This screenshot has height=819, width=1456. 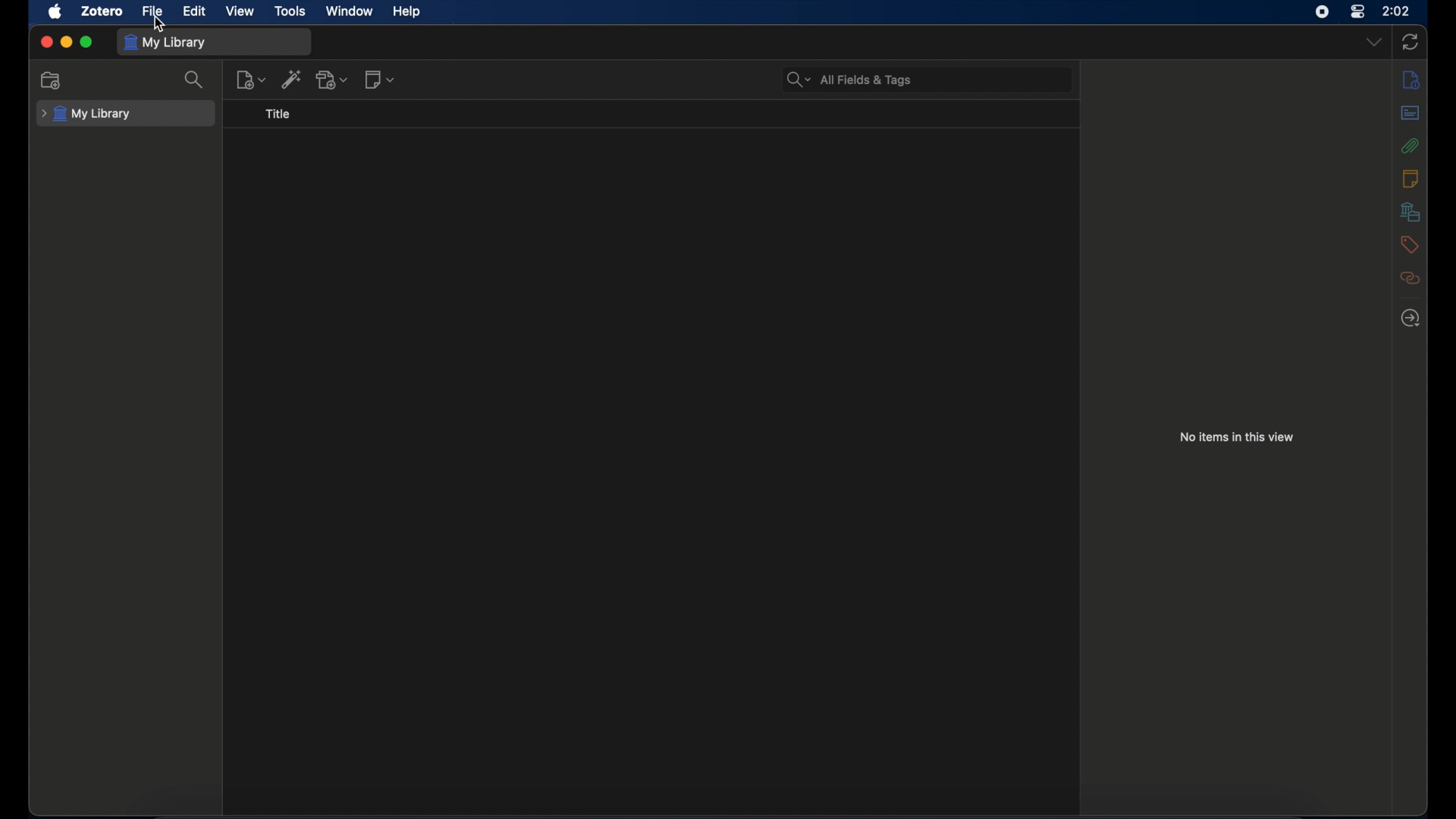 What do you see at coordinates (1359, 11) in the screenshot?
I see `control center` at bounding box center [1359, 11].